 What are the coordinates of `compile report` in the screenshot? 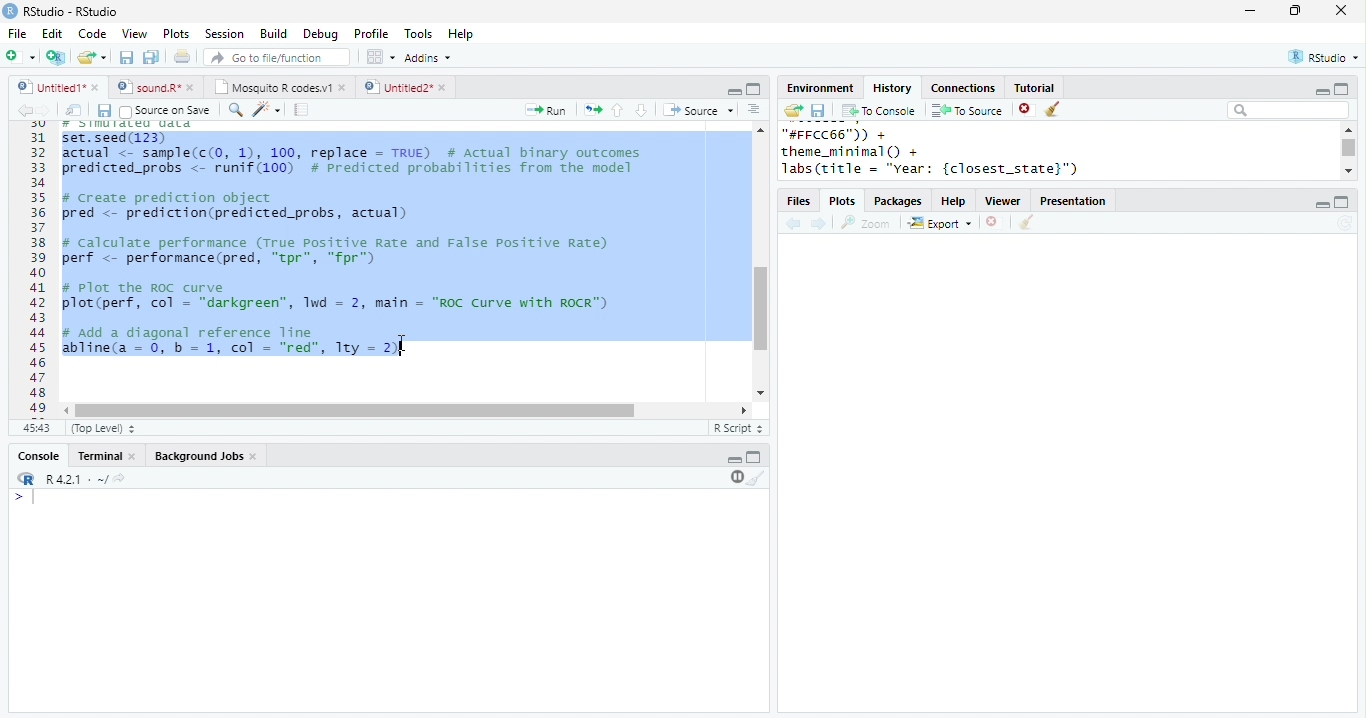 It's located at (302, 109).